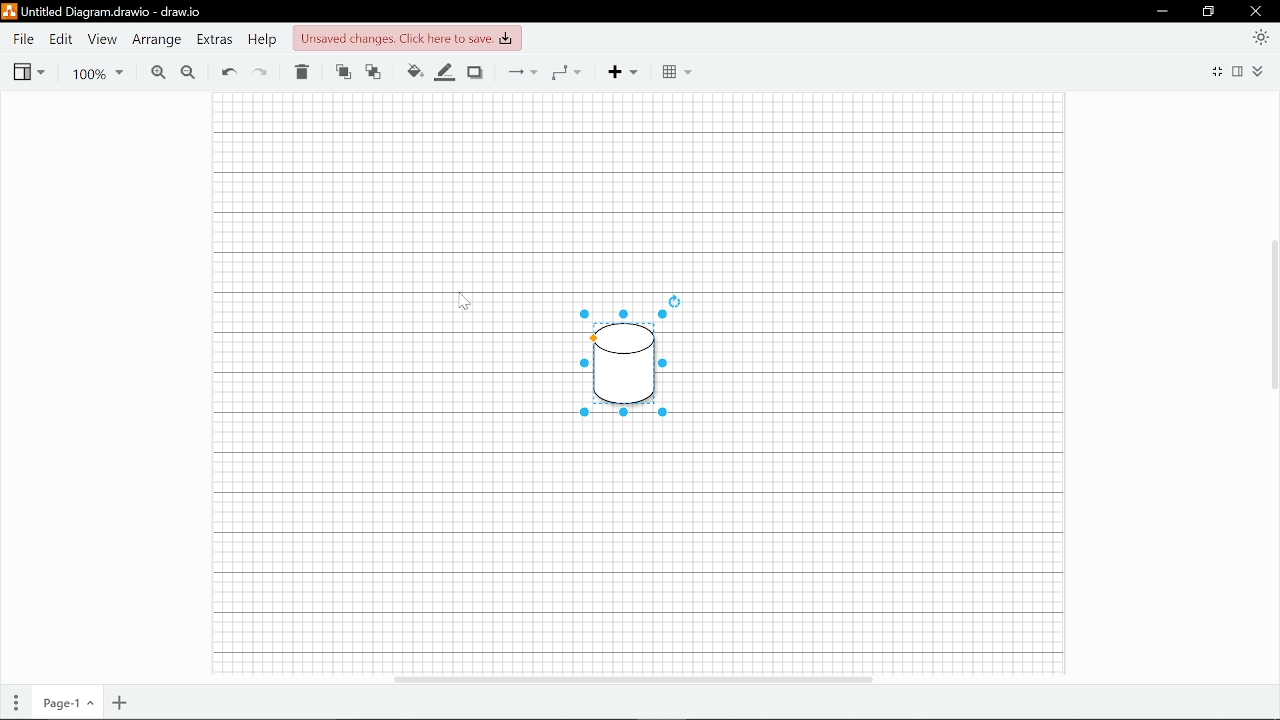 The width and height of the screenshot is (1280, 720). Describe the element at coordinates (1258, 72) in the screenshot. I see `Expand/collapse` at that location.